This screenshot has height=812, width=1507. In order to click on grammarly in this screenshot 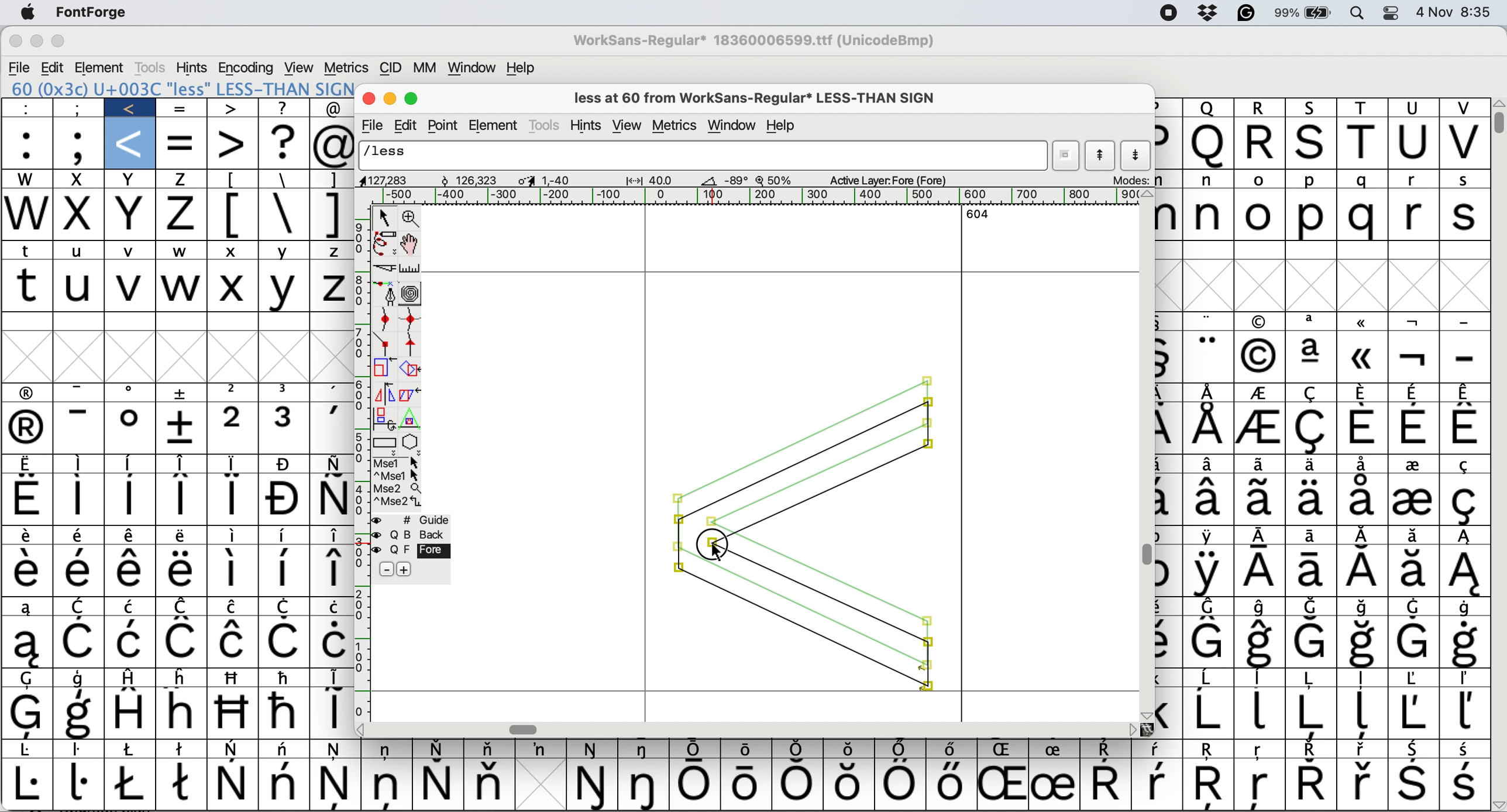, I will do `click(1245, 13)`.